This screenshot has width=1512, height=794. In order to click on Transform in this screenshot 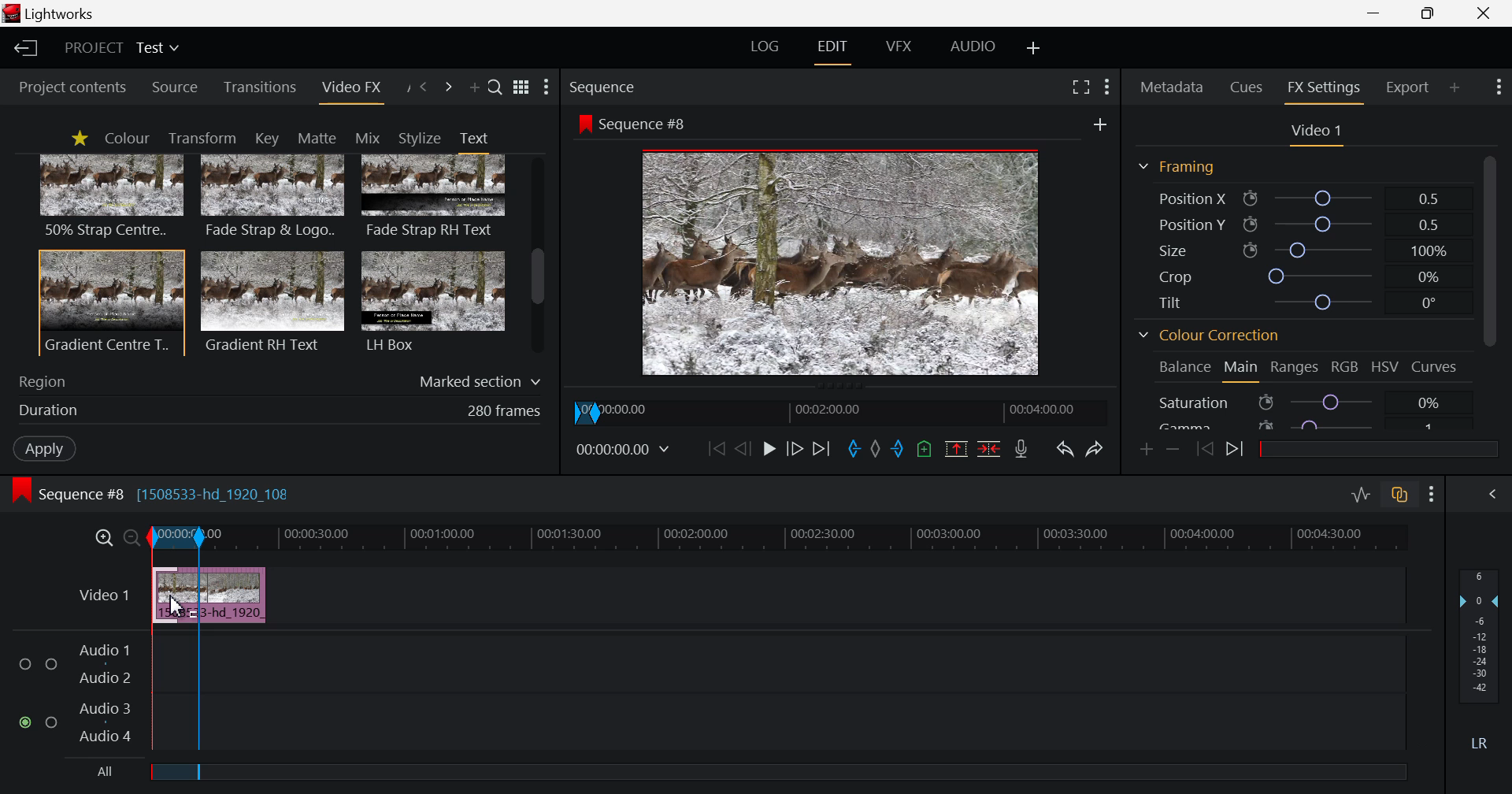, I will do `click(206, 139)`.